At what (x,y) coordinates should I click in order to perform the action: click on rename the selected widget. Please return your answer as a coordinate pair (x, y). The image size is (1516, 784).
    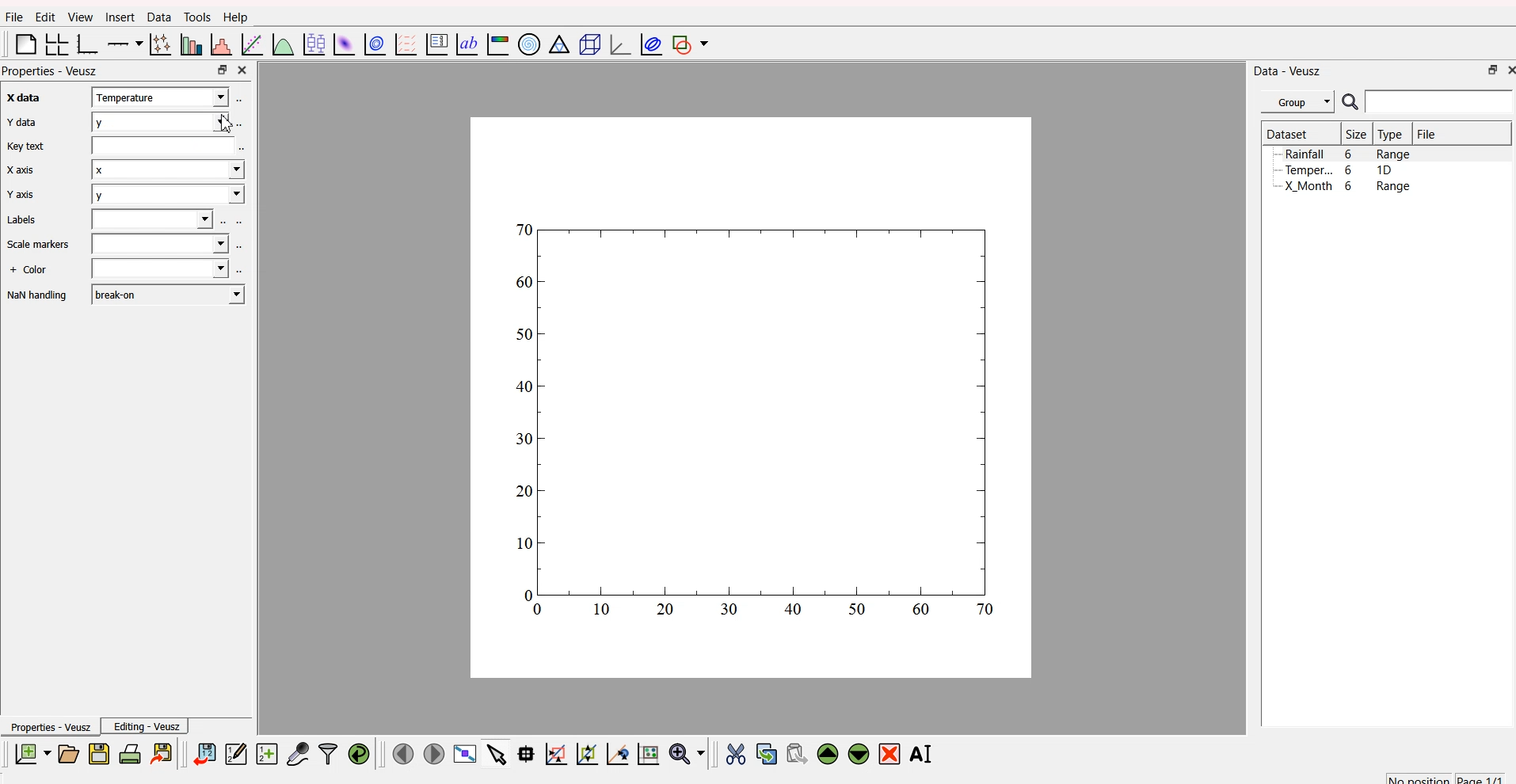
    Looking at the image, I should click on (924, 753).